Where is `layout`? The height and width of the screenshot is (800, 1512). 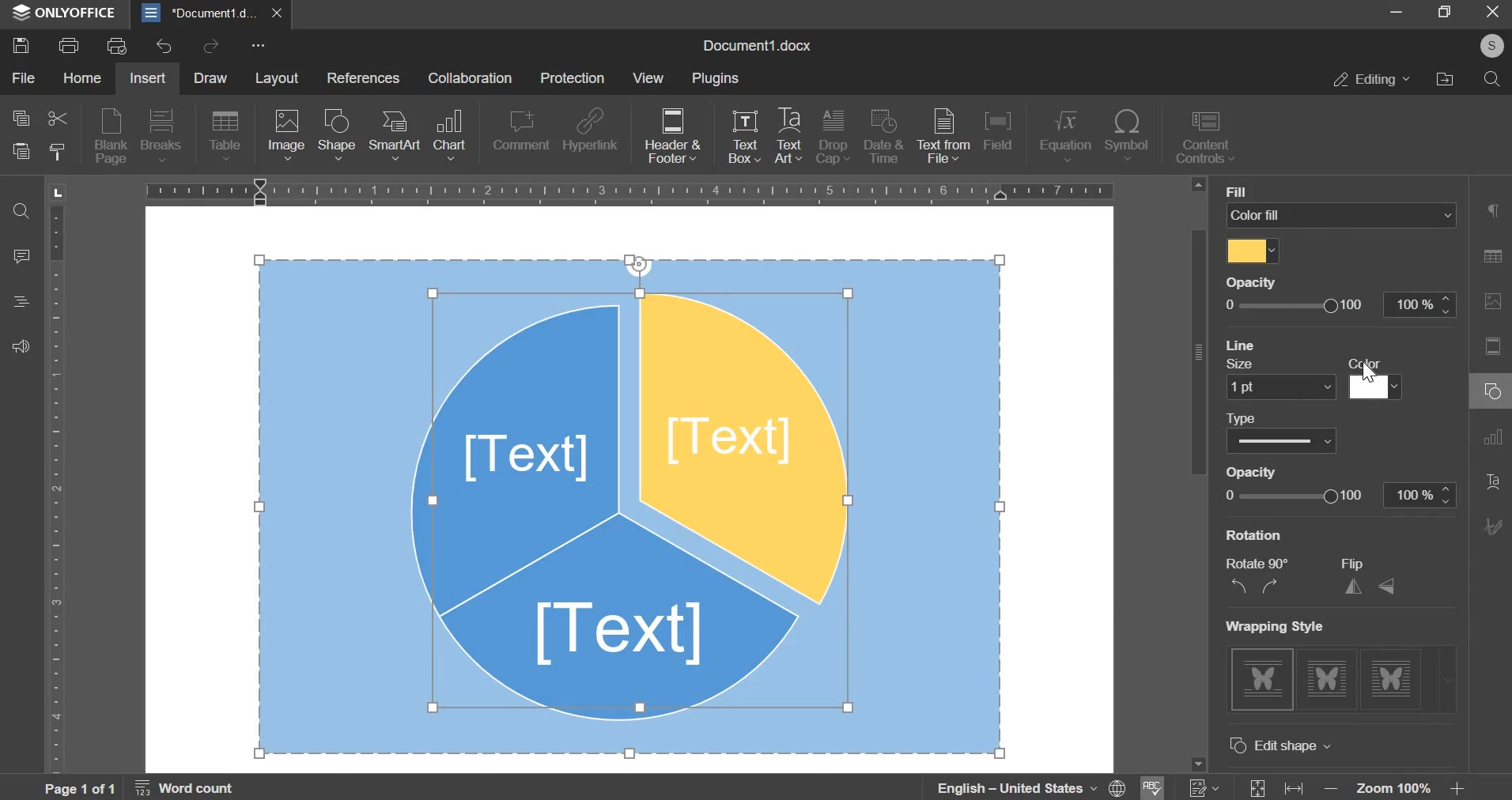 layout is located at coordinates (284, 79).